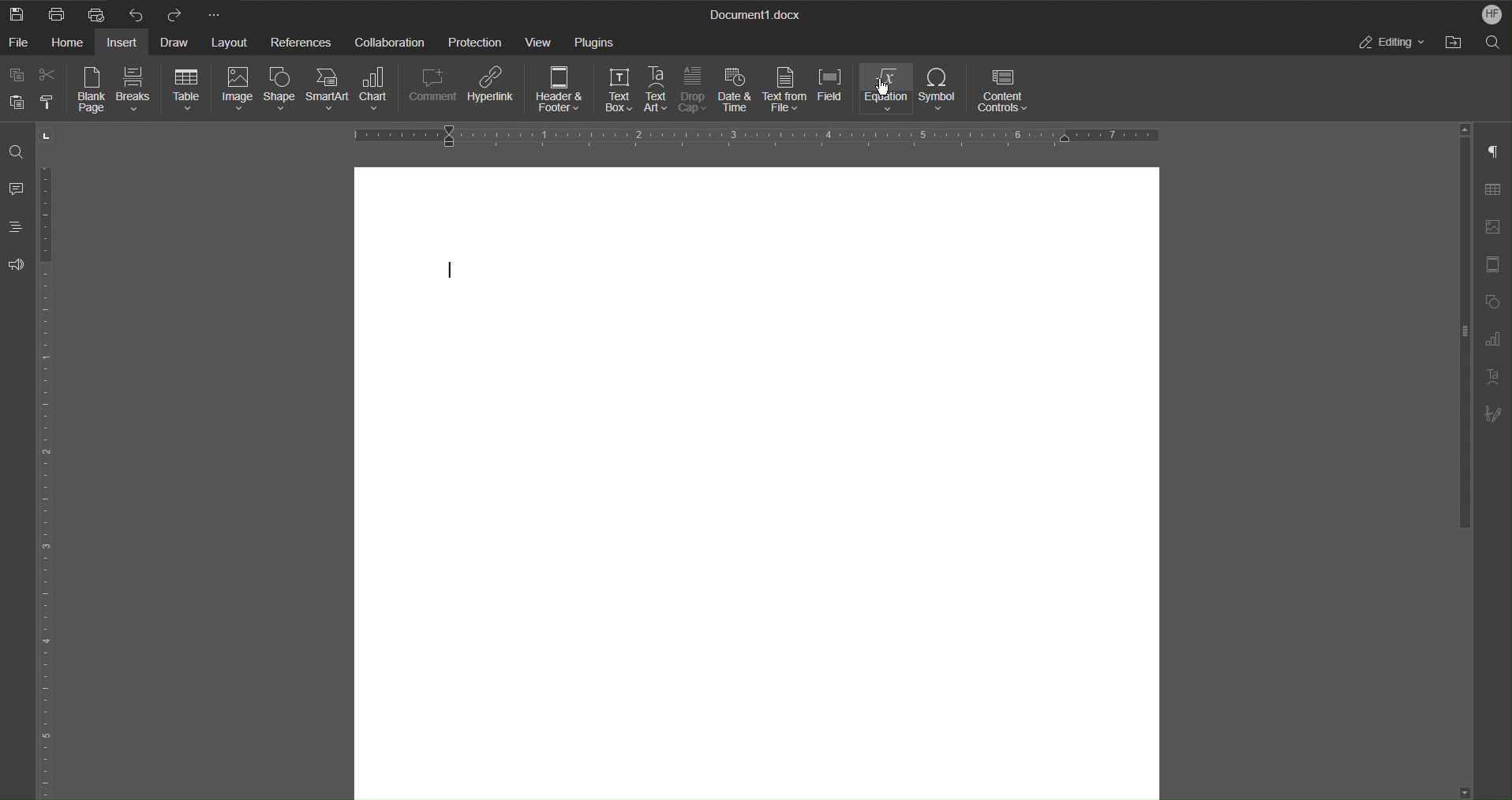  I want to click on SmartArt, so click(327, 91).